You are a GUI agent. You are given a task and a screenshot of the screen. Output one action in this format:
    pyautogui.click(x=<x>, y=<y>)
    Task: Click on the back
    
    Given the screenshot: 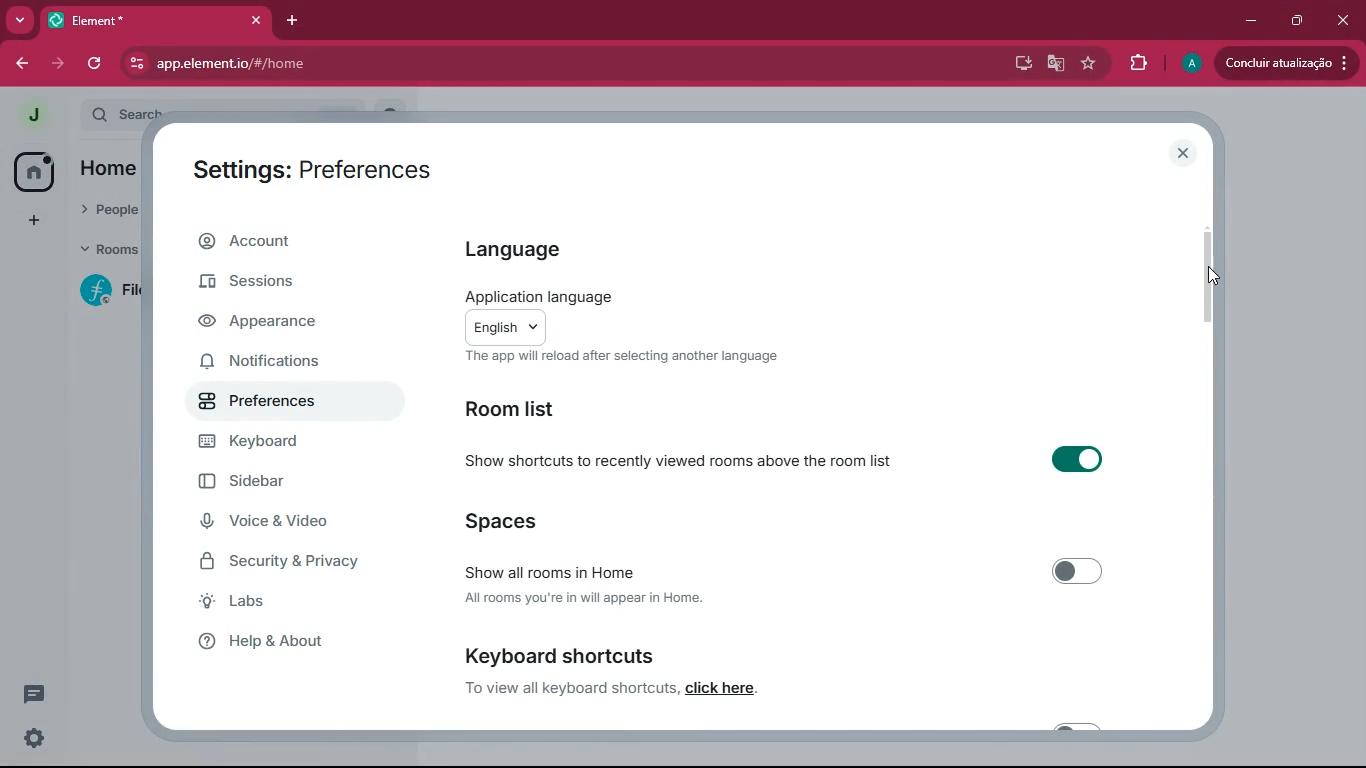 What is the action you would take?
    pyautogui.click(x=23, y=61)
    